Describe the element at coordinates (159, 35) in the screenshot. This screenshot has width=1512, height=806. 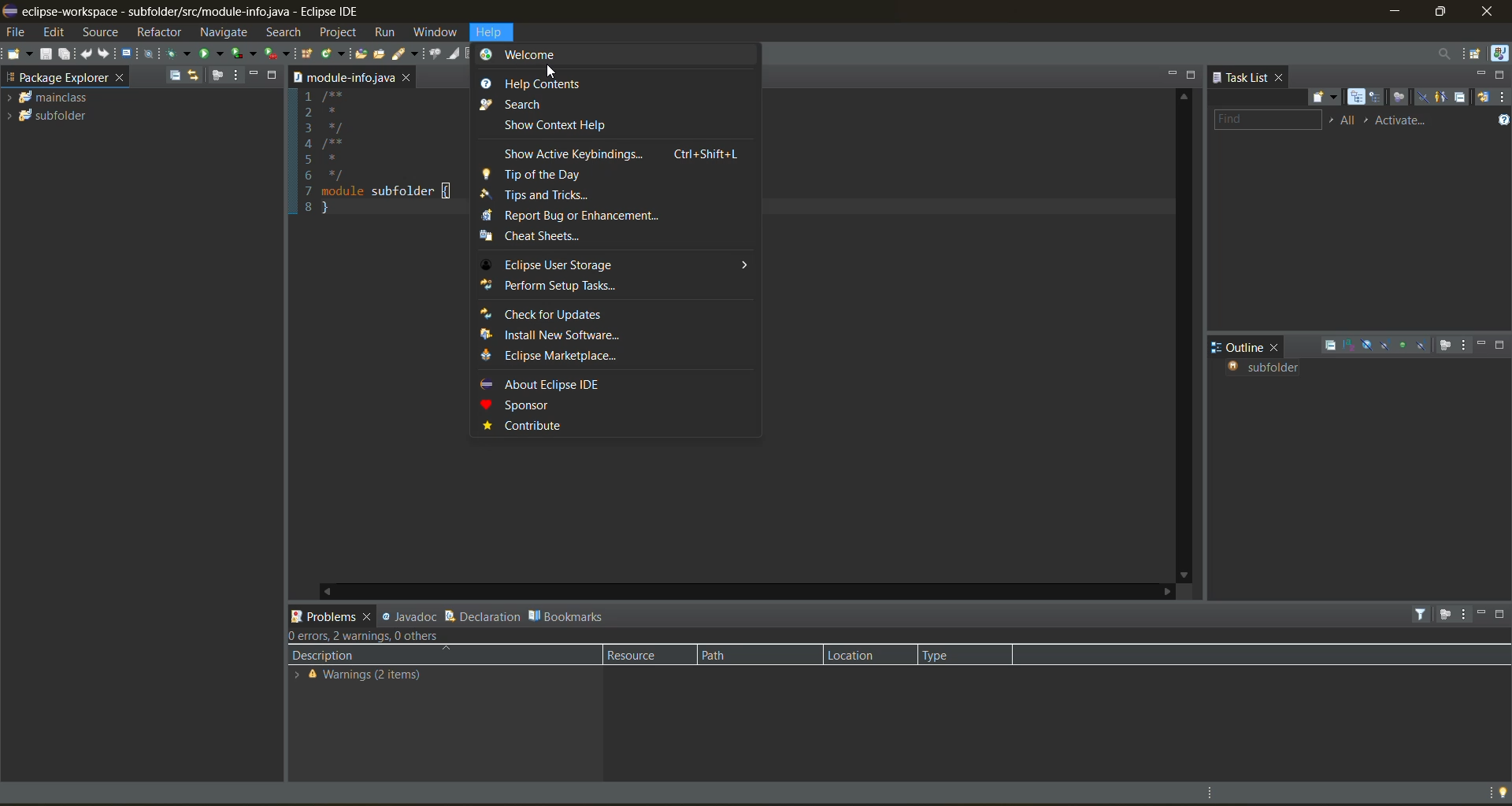
I see `refractor` at that location.